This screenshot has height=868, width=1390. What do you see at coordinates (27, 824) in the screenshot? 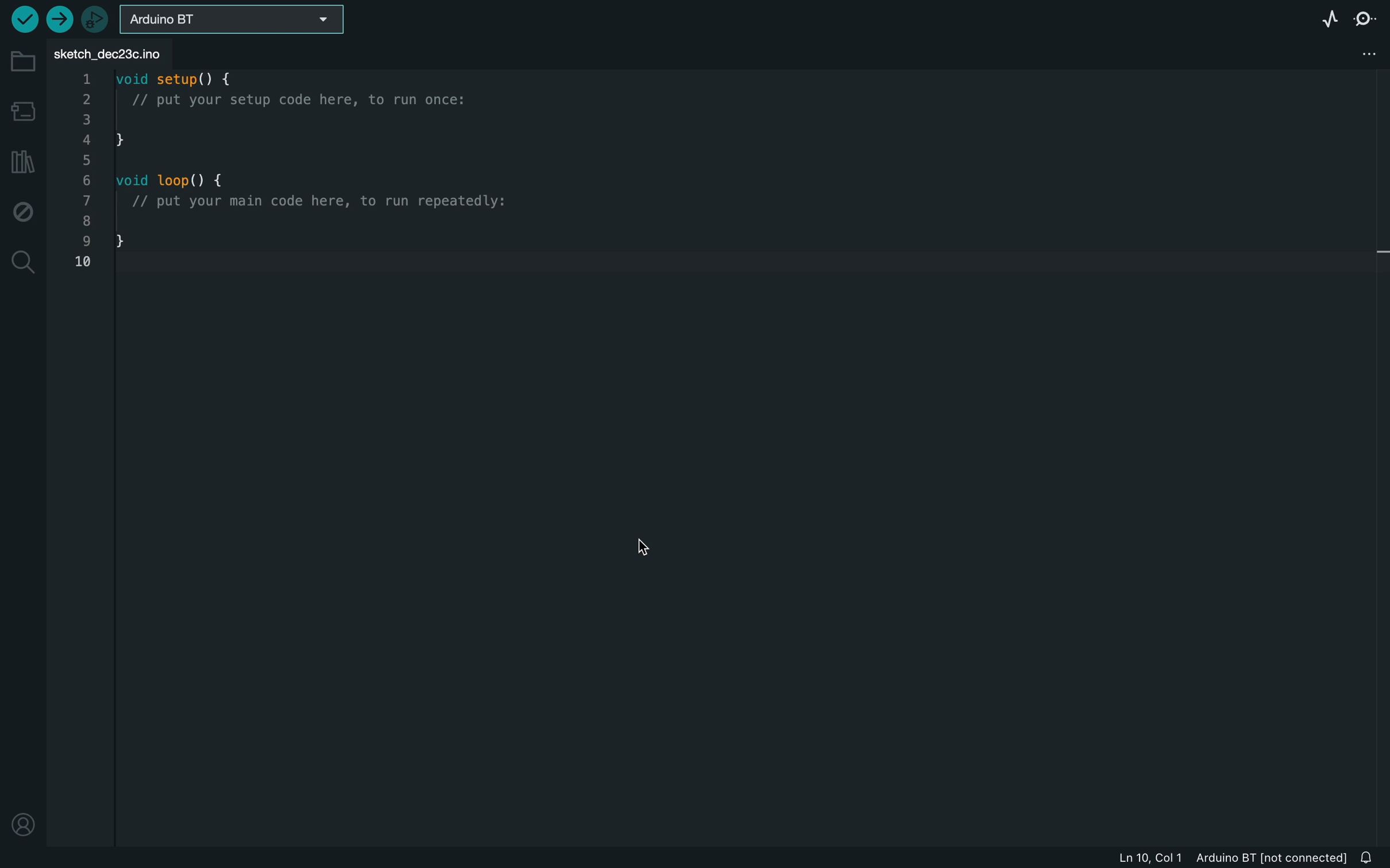
I see `profile` at bounding box center [27, 824].